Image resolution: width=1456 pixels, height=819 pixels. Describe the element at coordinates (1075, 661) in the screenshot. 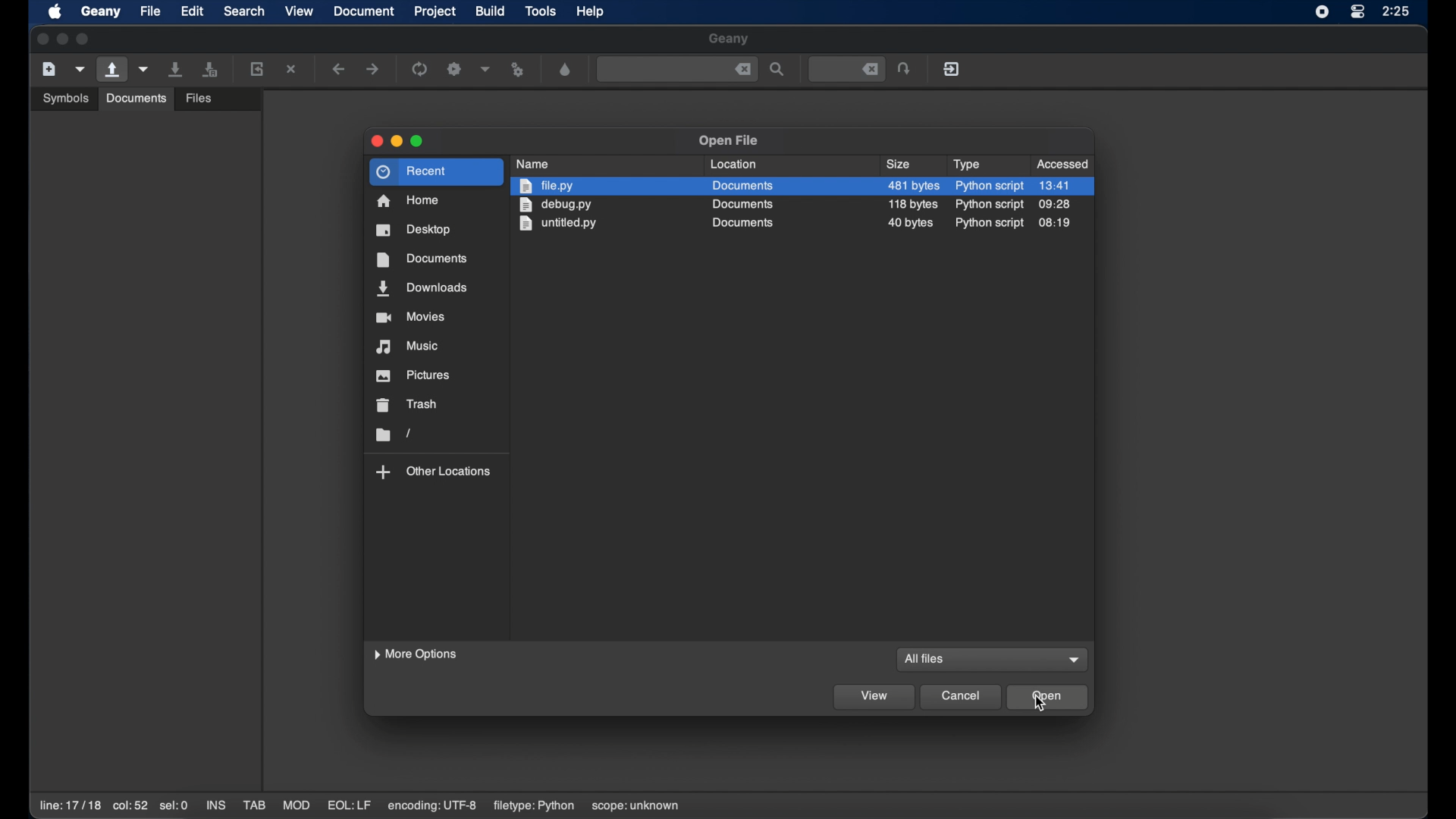

I see `dropdown` at that location.